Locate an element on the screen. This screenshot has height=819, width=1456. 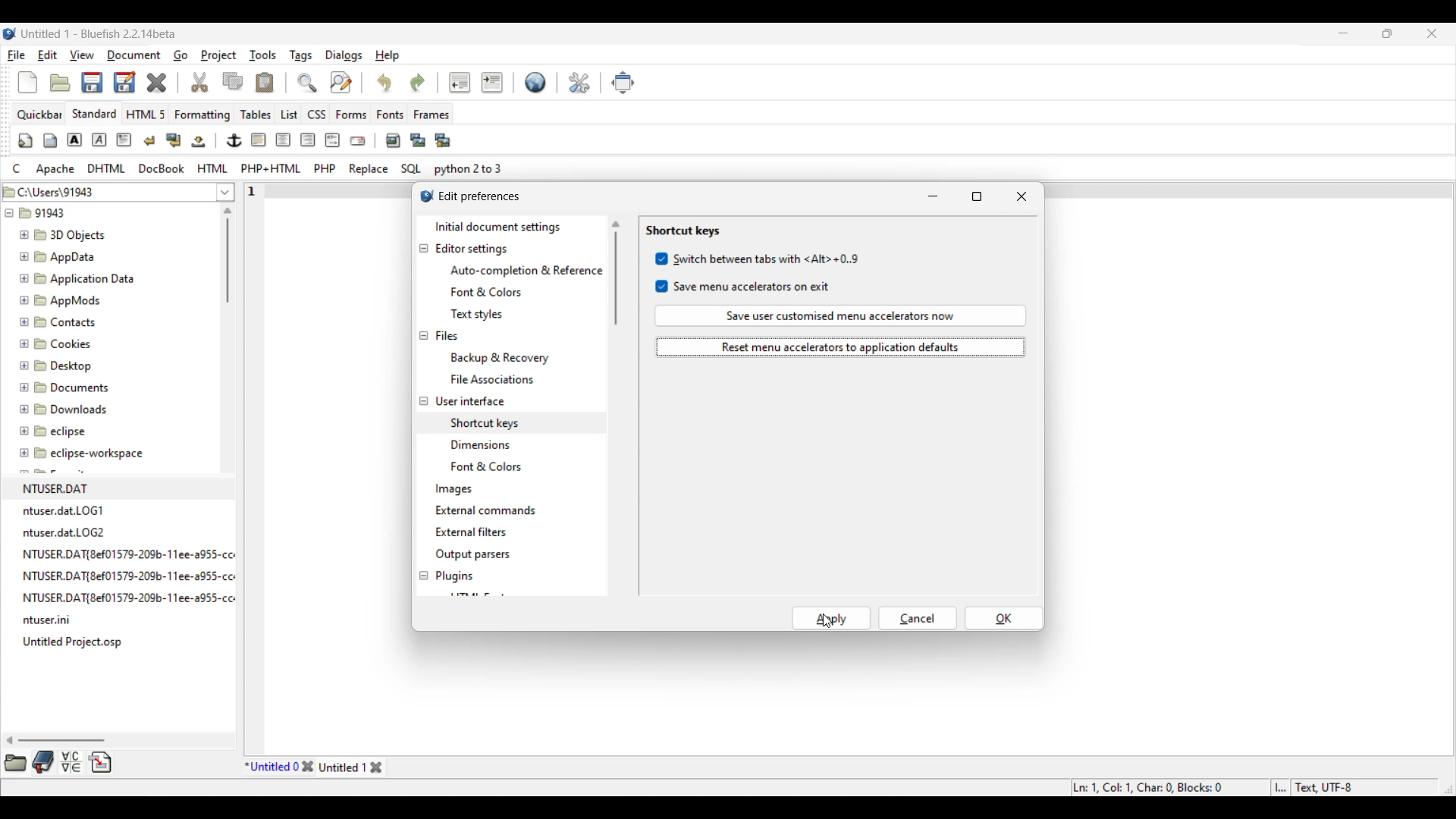
Edit preferences, highlighted by cursor is located at coordinates (579, 81).